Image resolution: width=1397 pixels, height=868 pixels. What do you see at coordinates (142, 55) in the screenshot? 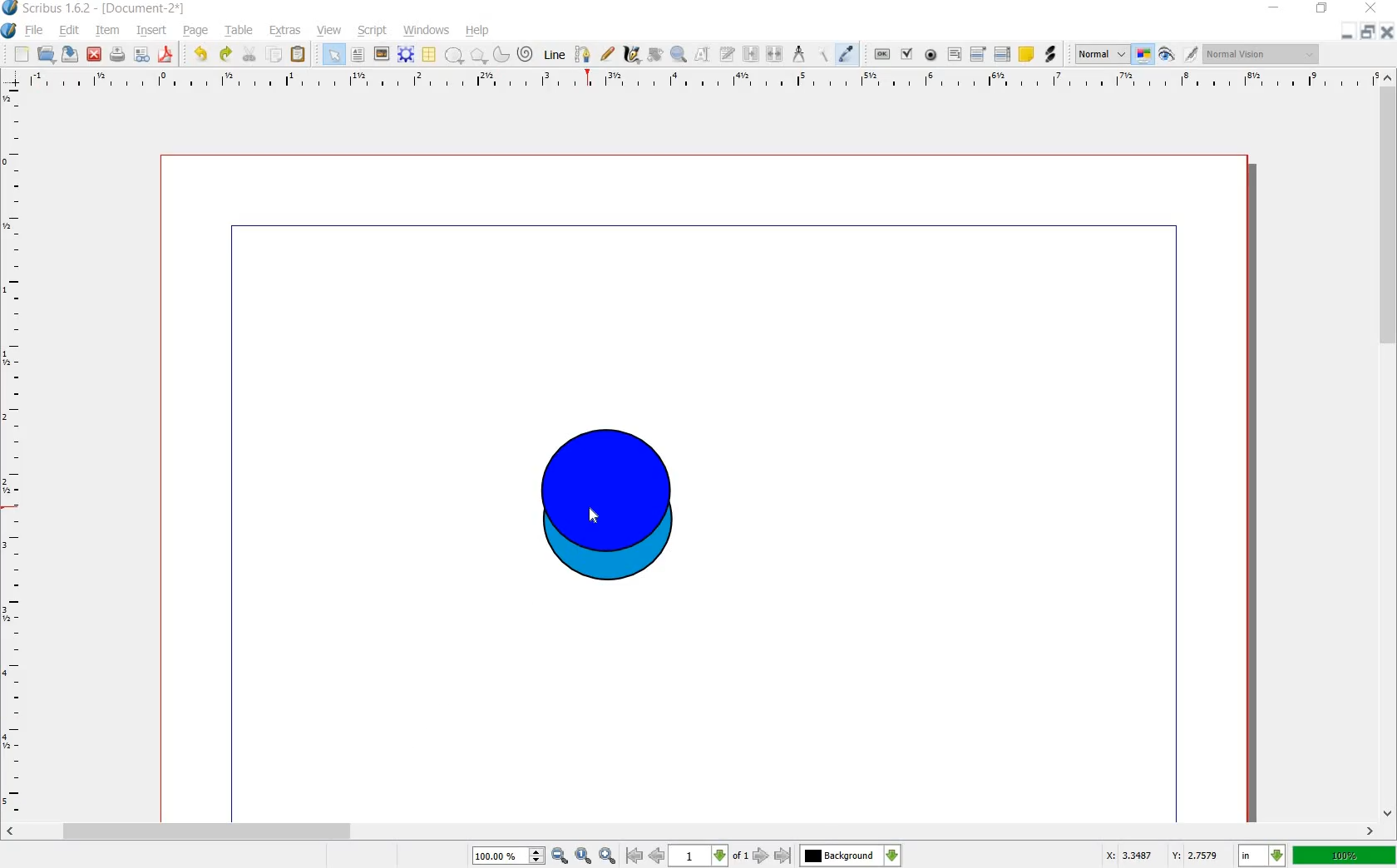
I see `preflight verifier` at bounding box center [142, 55].